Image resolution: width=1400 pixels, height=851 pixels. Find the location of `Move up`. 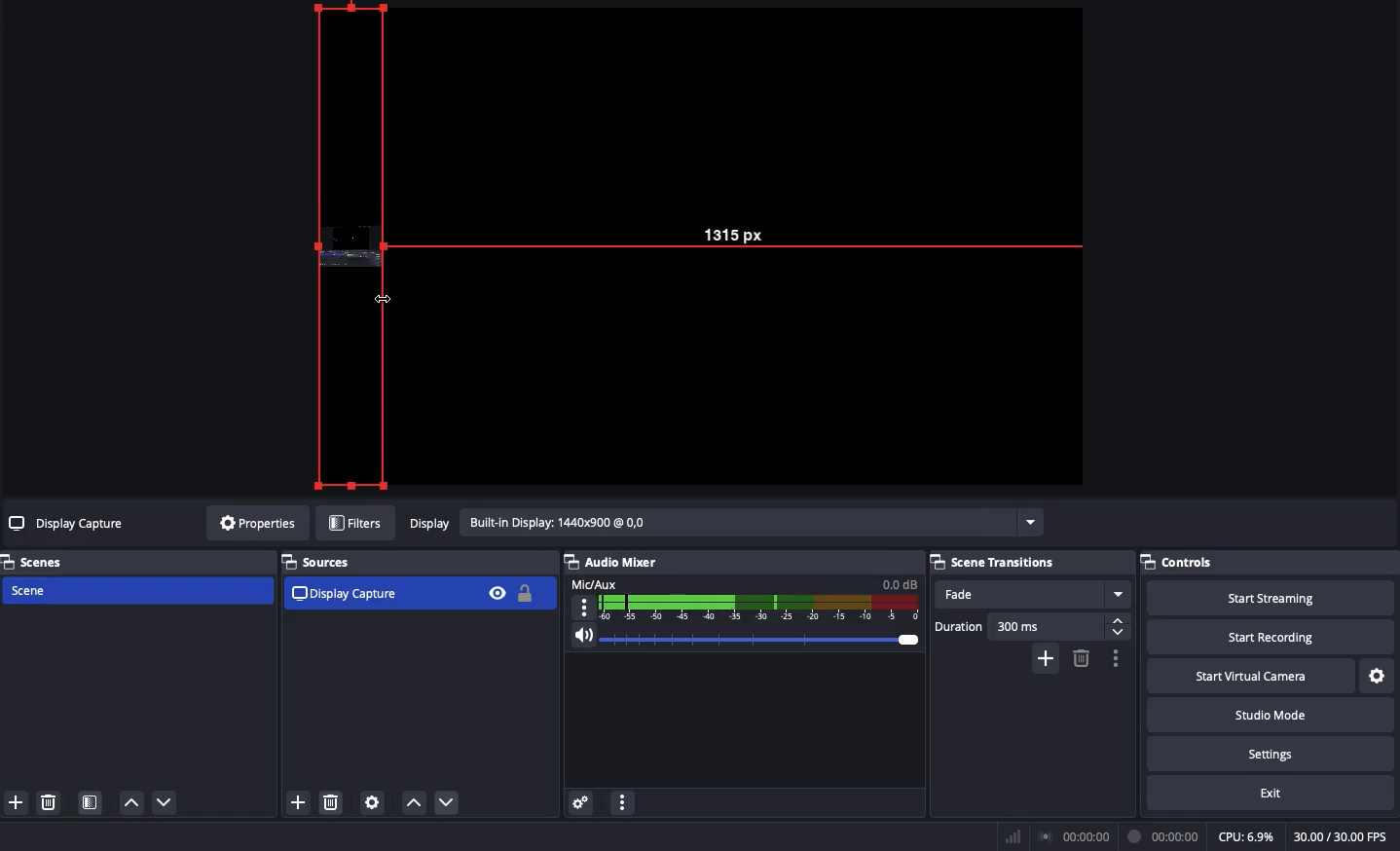

Move up is located at coordinates (130, 801).